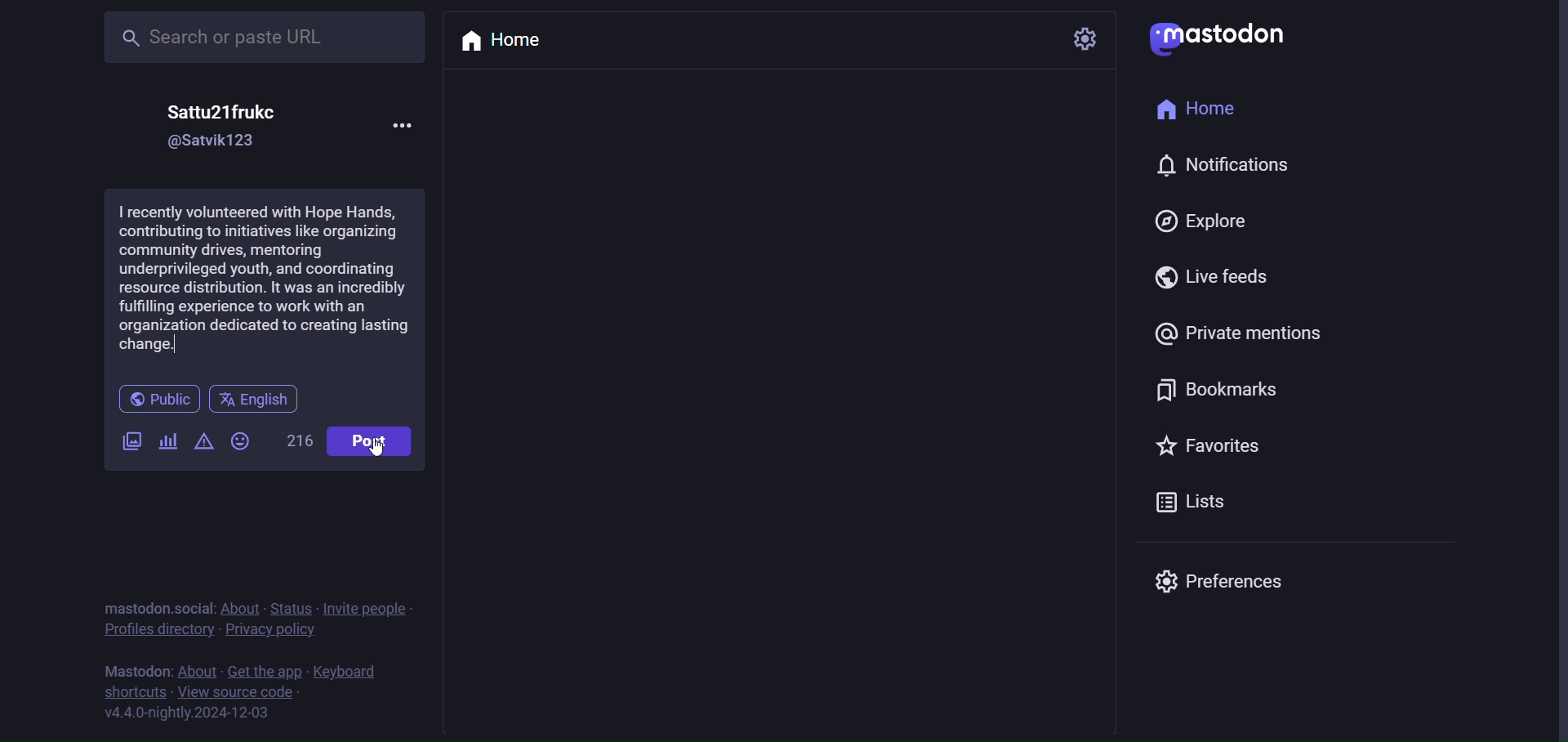 The height and width of the screenshot is (742, 1568). What do you see at coordinates (1234, 332) in the screenshot?
I see `private mention` at bounding box center [1234, 332].